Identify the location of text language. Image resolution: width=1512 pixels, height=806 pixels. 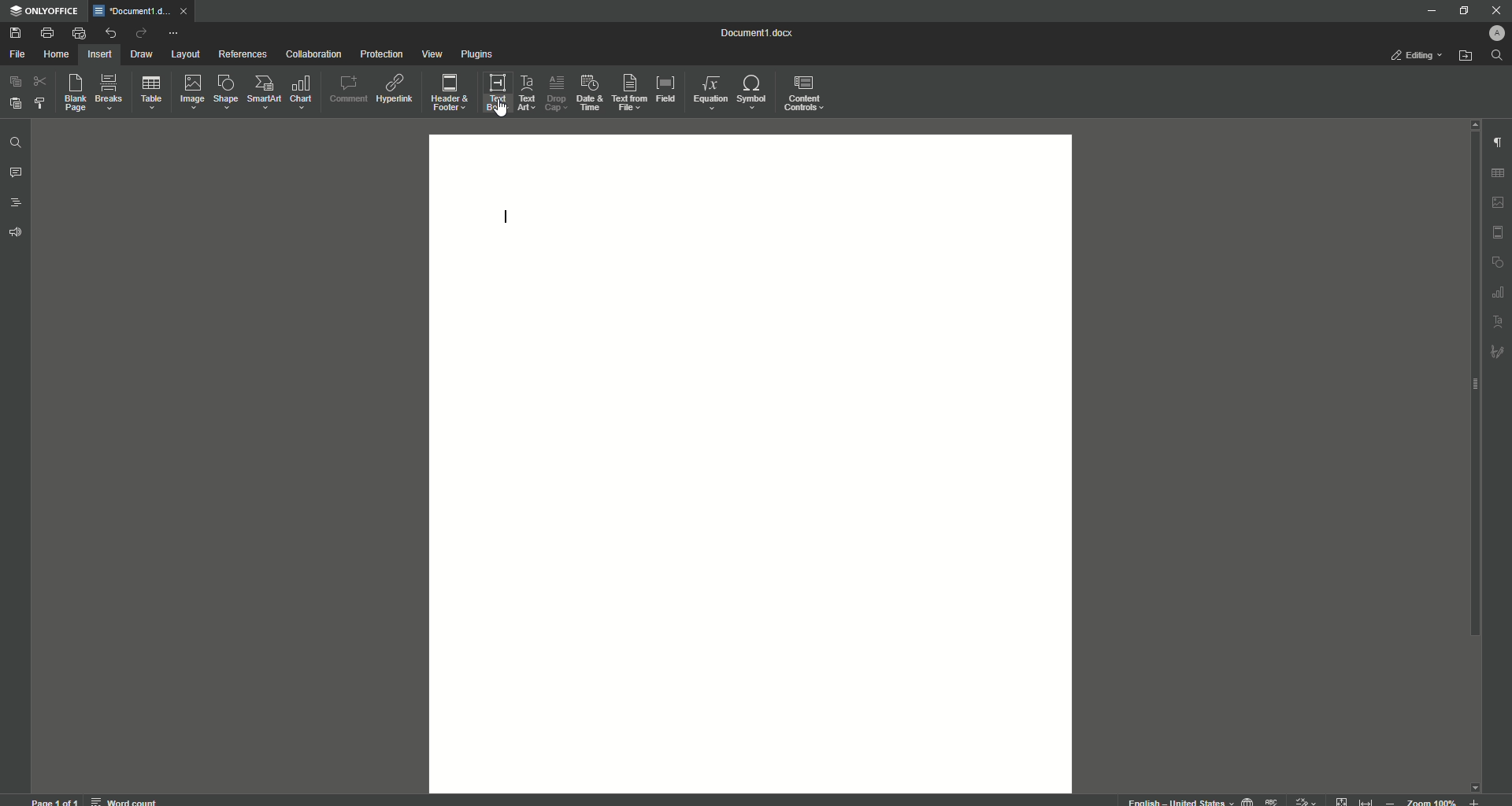
(1173, 800).